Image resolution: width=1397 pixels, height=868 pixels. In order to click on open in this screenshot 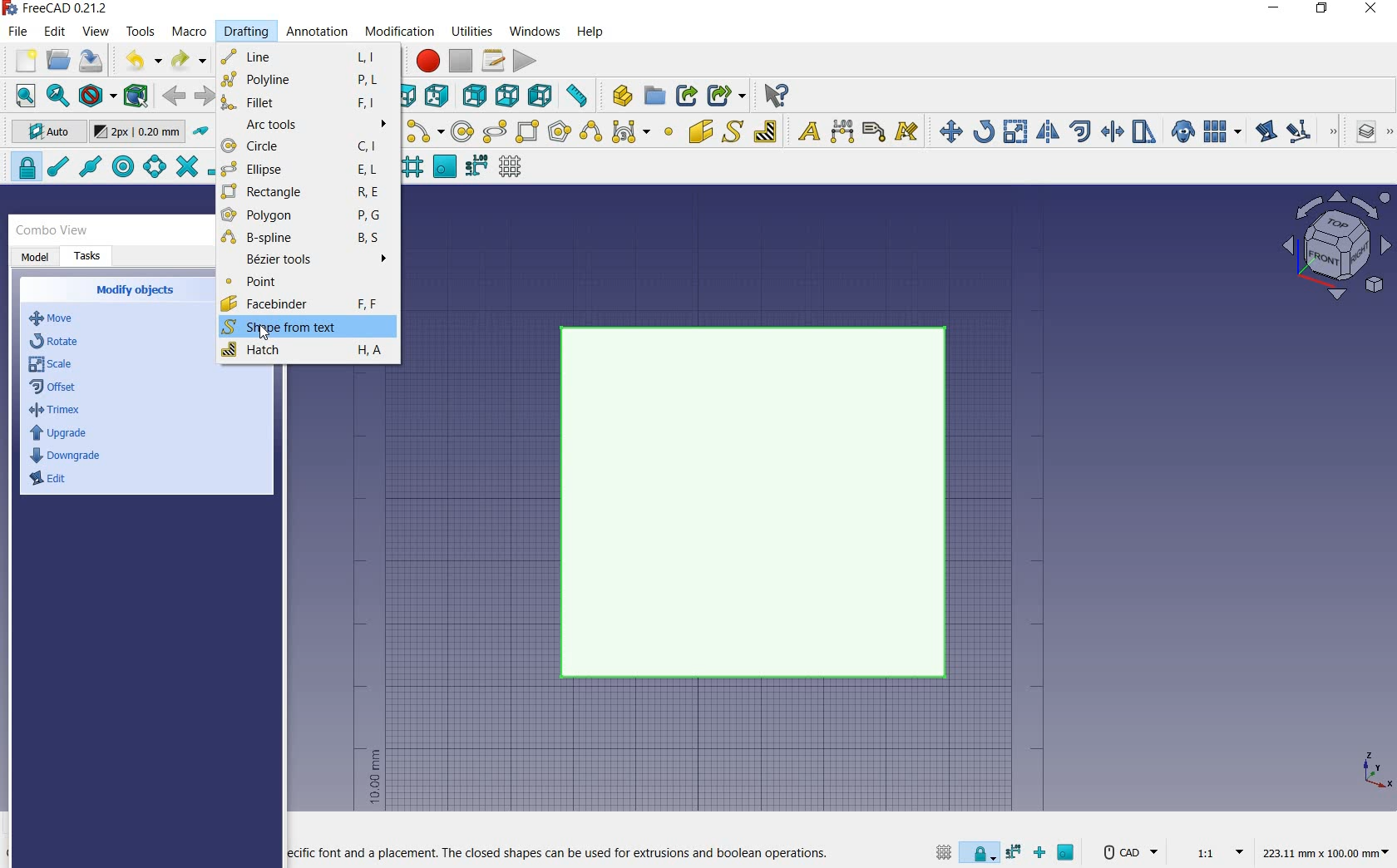, I will do `click(58, 59)`.